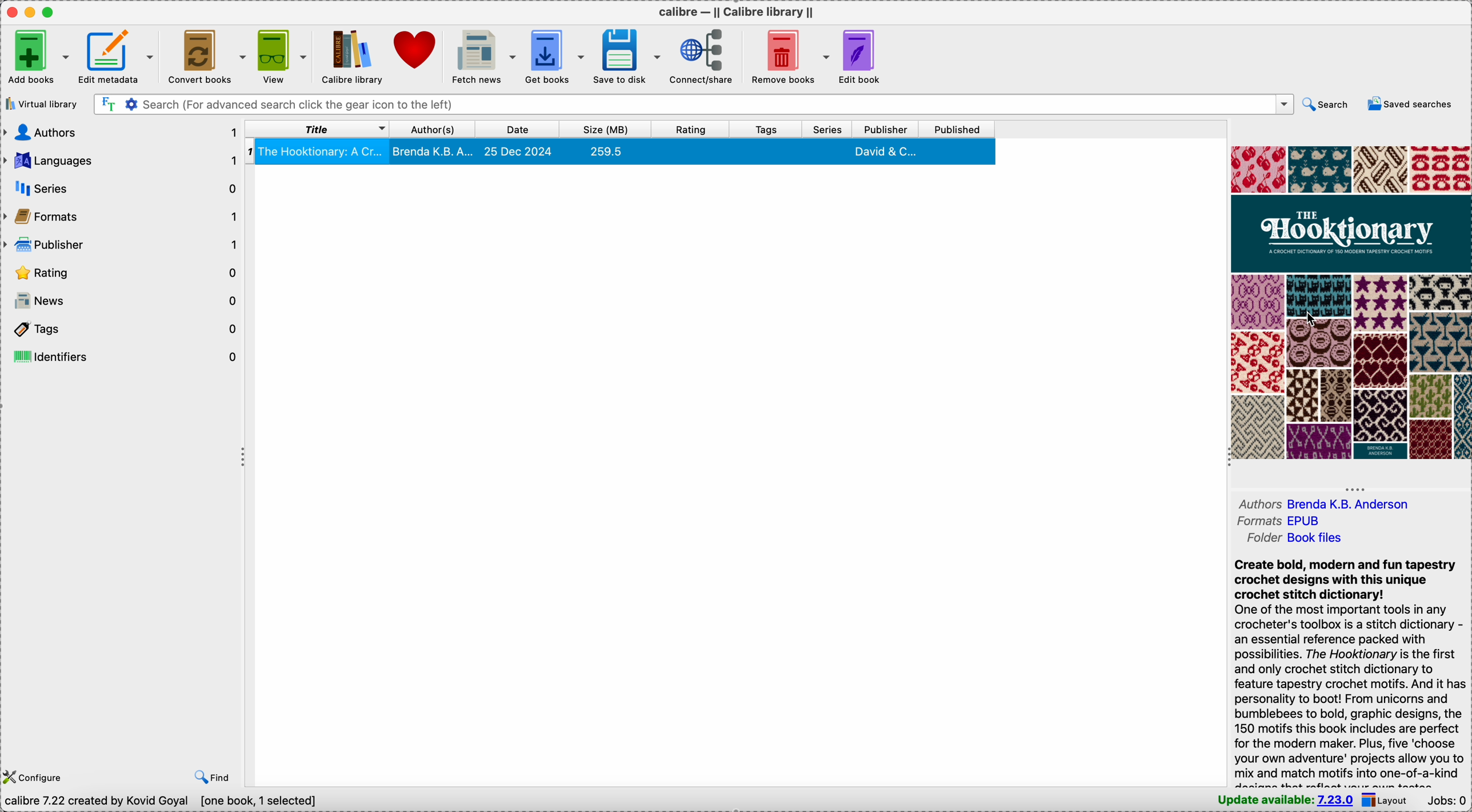 This screenshot has width=1472, height=812. I want to click on double click on book cover preview, so click(1350, 303).